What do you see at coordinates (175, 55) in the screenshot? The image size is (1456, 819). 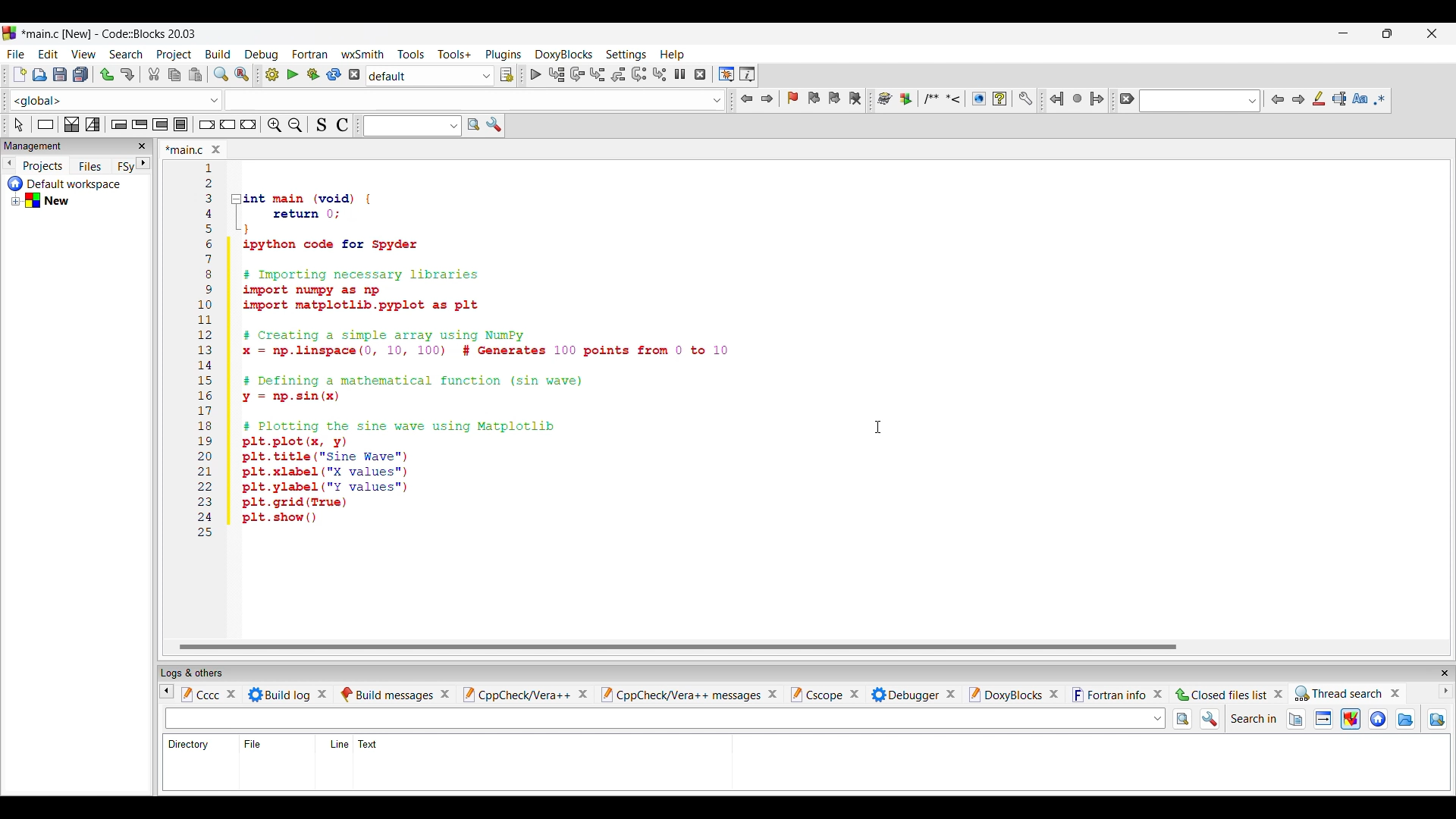 I see `Project menu` at bounding box center [175, 55].